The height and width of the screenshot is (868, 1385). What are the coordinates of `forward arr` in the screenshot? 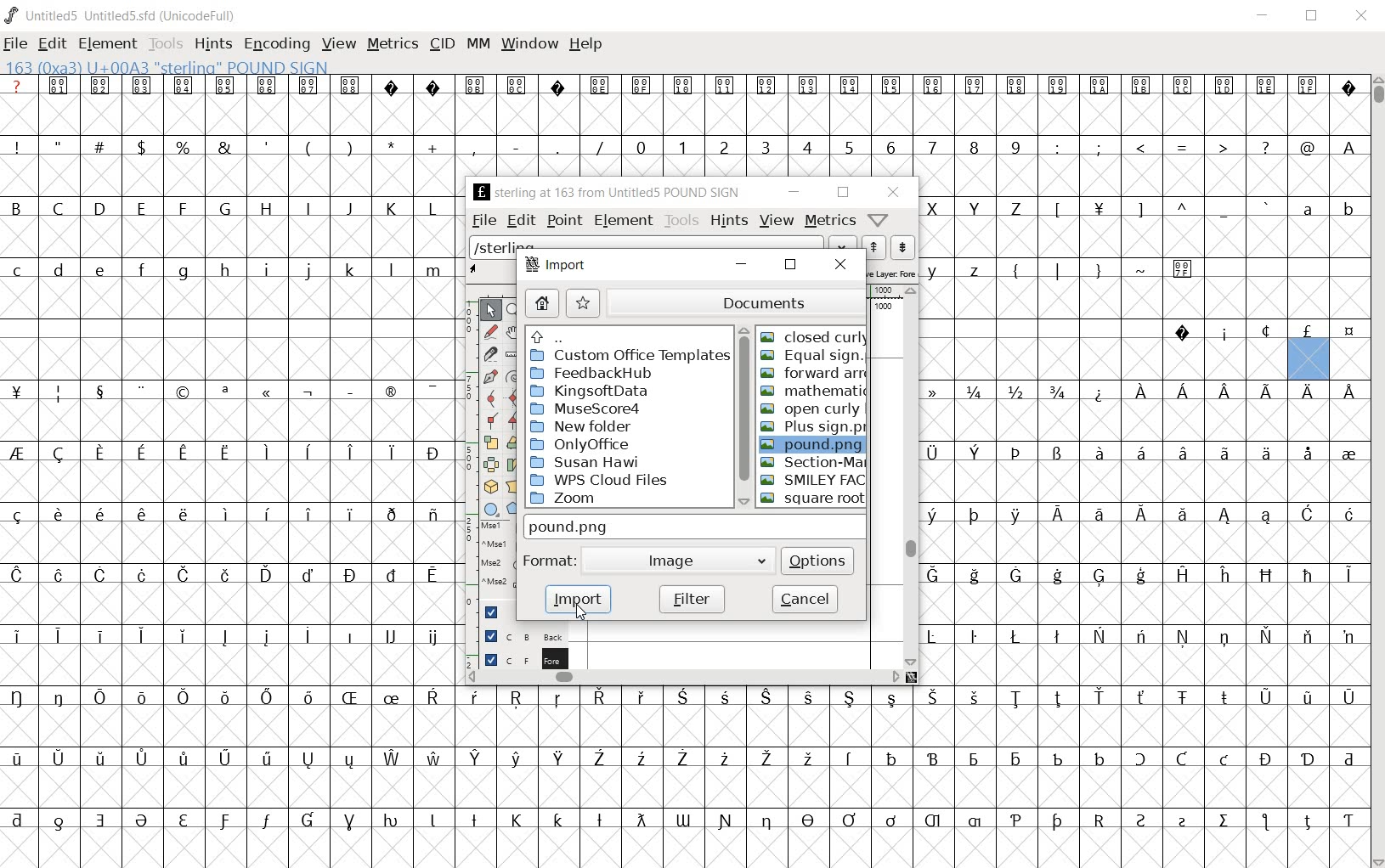 It's located at (814, 373).